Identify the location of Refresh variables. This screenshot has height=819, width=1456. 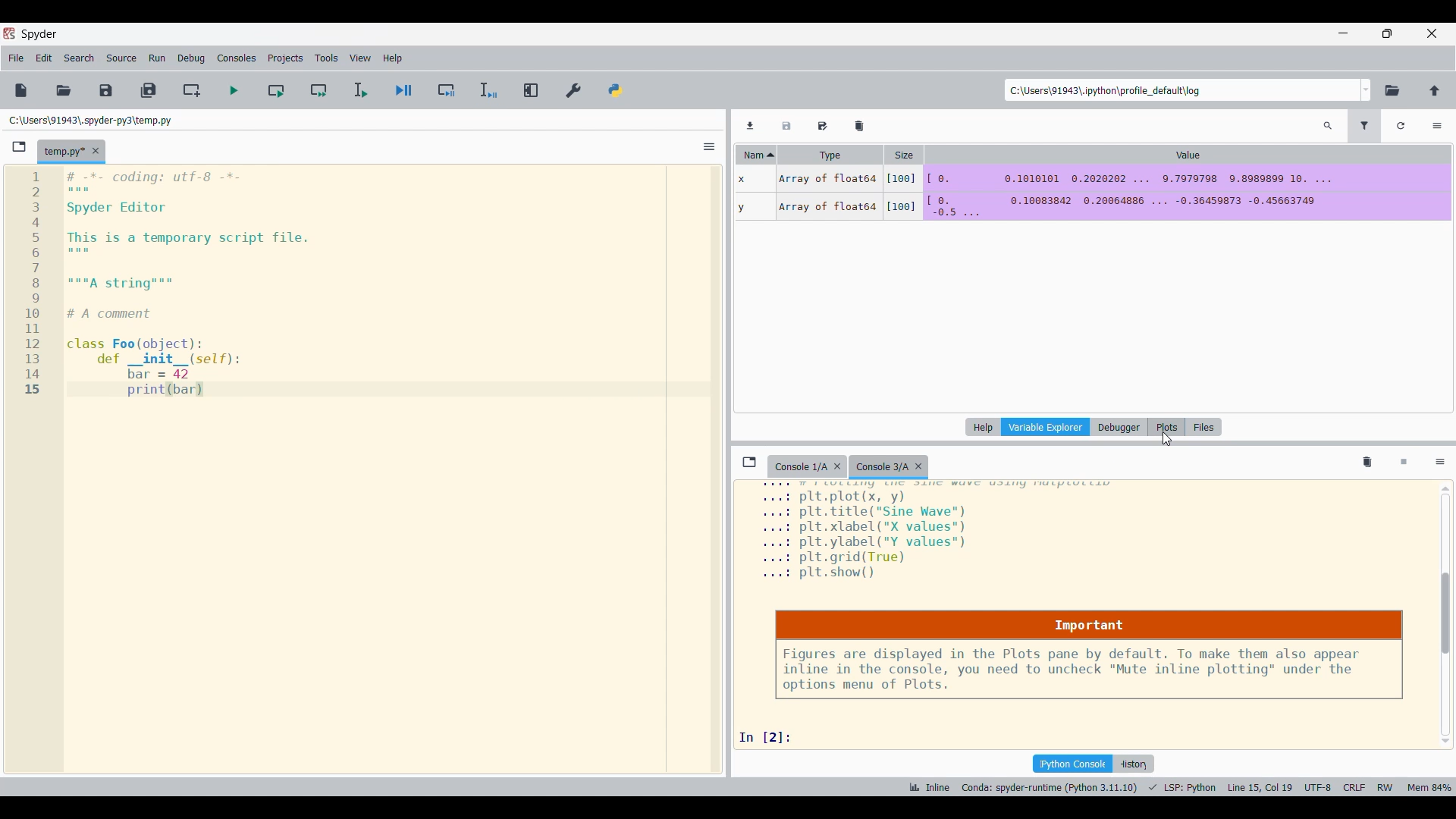
(1401, 126).